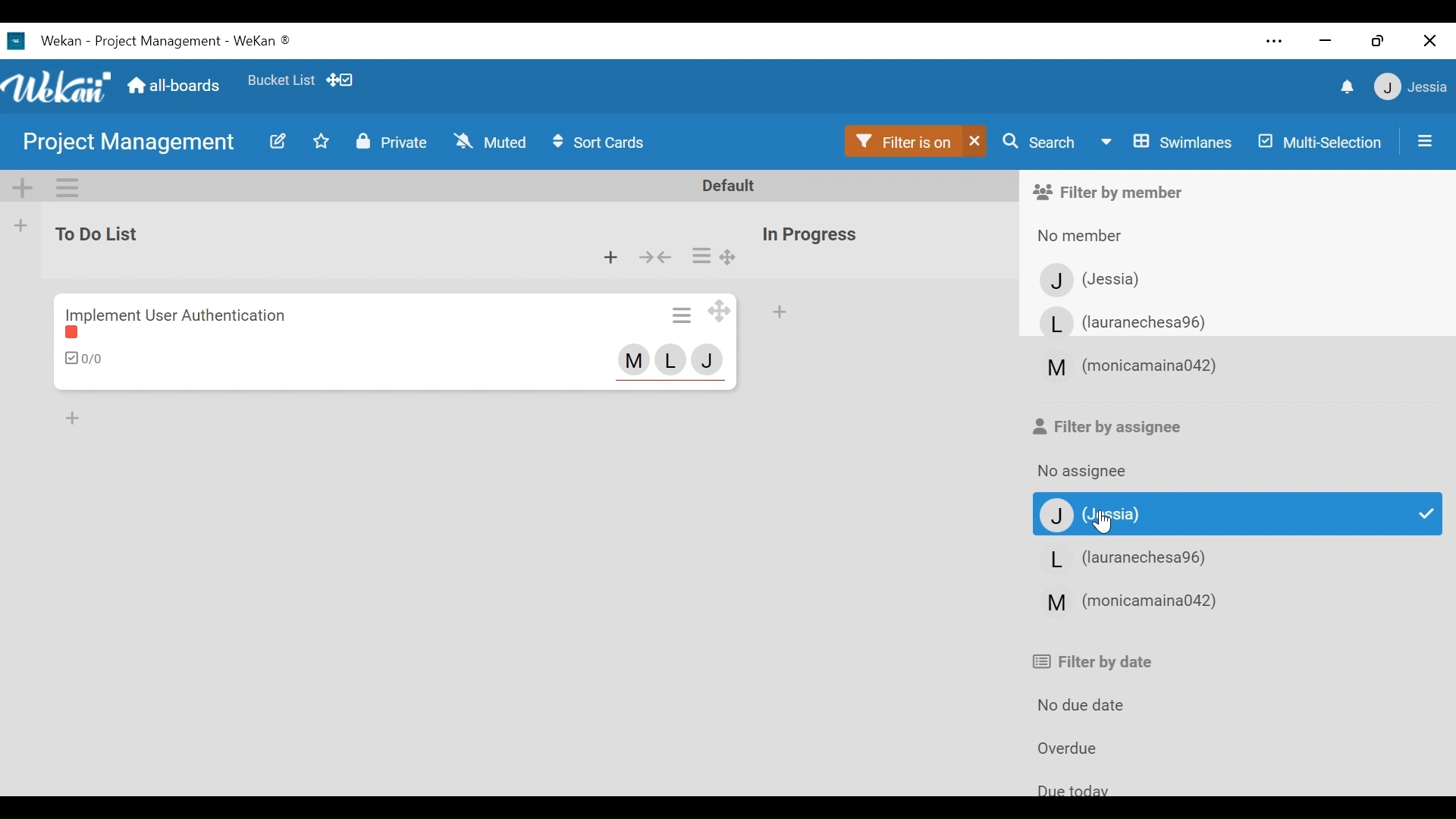 This screenshot has width=1456, height=819. What do you see at coordinates (1145, 602) in the screenshot?
I see `Member` at bounding box center [1145, 602].